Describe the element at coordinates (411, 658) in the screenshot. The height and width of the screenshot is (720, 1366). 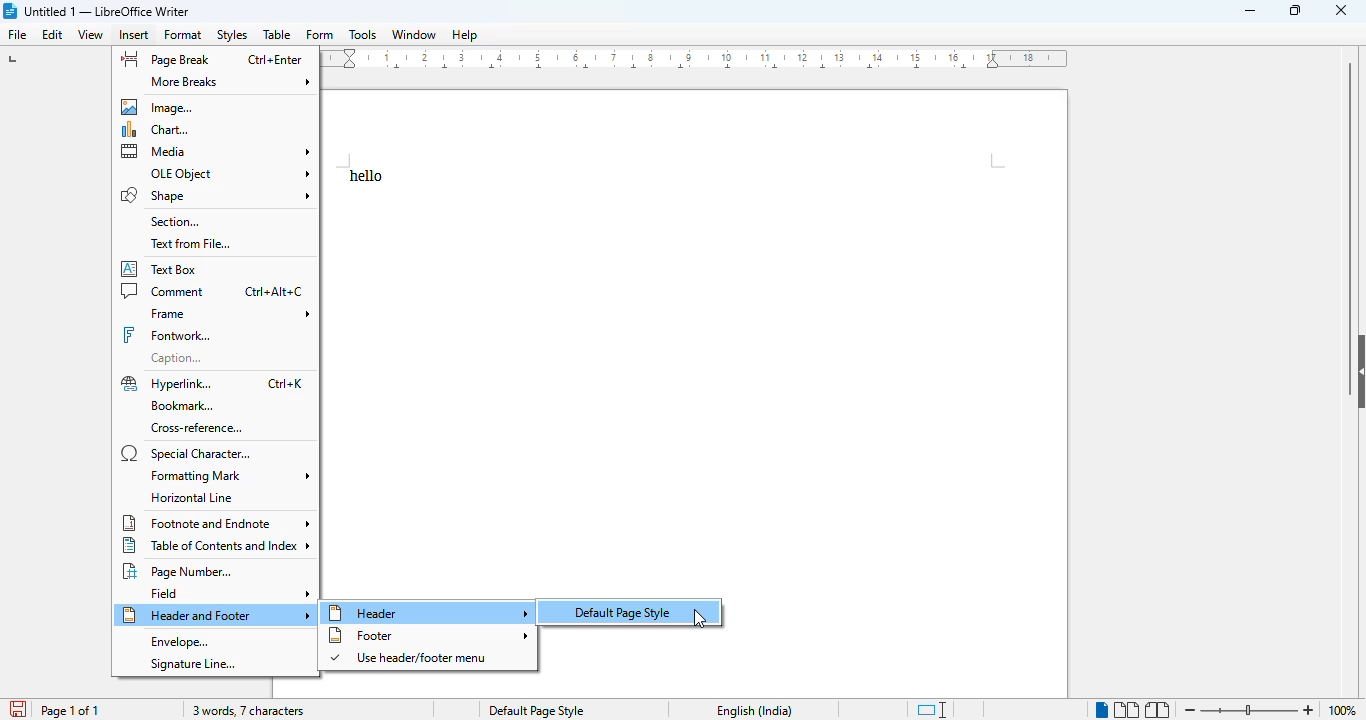
I see `use header/footer menu` at that location.